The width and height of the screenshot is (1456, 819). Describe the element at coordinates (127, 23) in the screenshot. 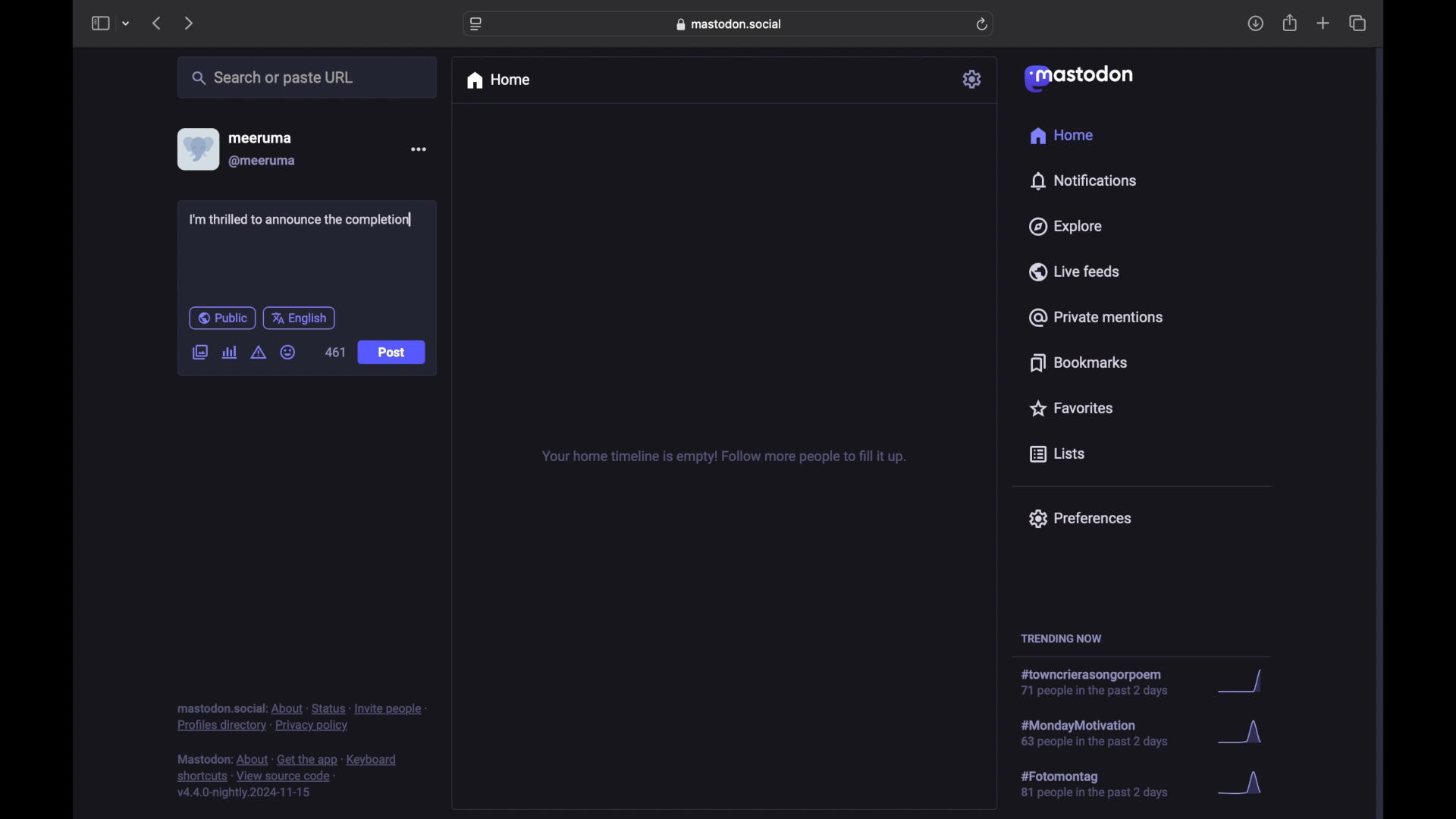

I see `tab group picker` at that location.